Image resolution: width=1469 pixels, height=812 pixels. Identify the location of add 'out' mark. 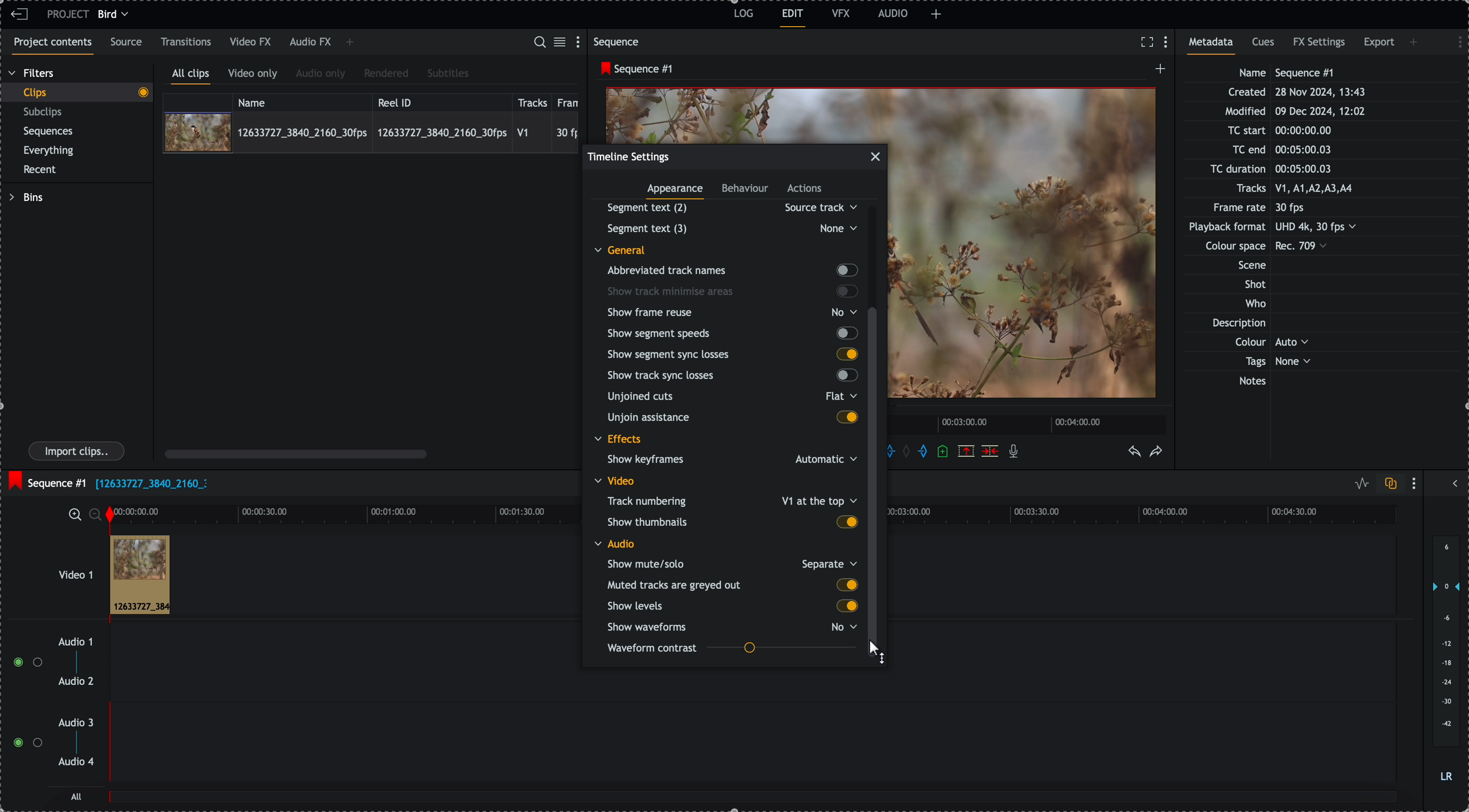
(922, 452).